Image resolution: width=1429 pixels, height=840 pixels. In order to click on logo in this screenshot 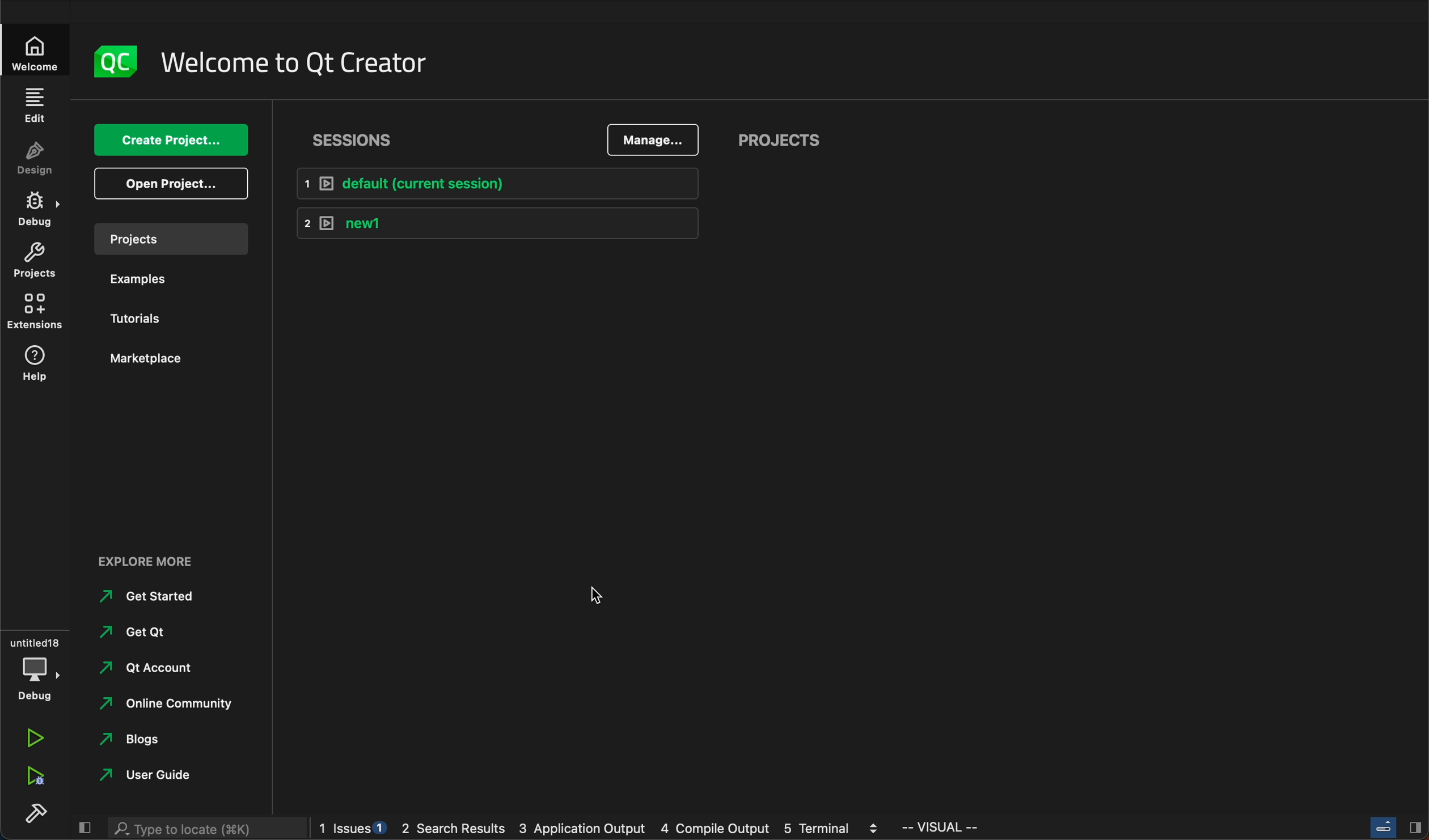, I will do `click(117, 61)`.